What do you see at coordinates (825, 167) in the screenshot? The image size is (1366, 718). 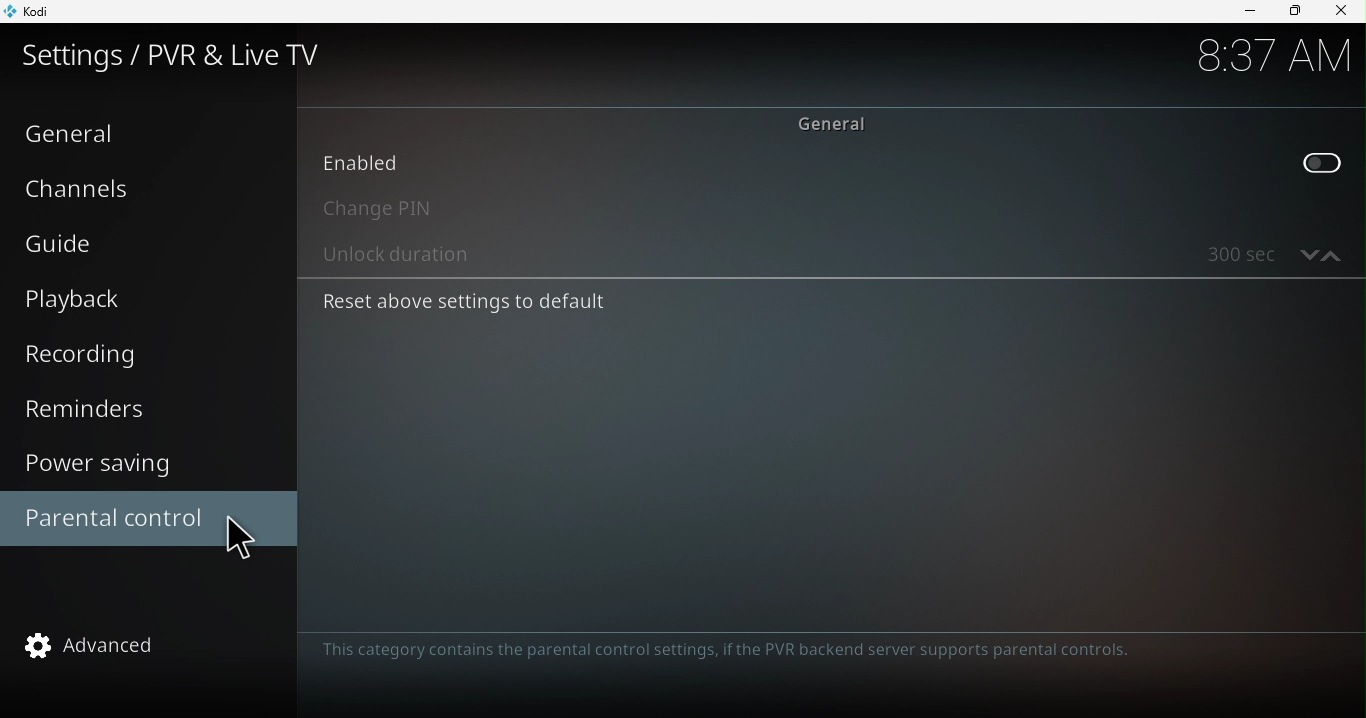 I see `Enable` at bounding box center [825, 167].